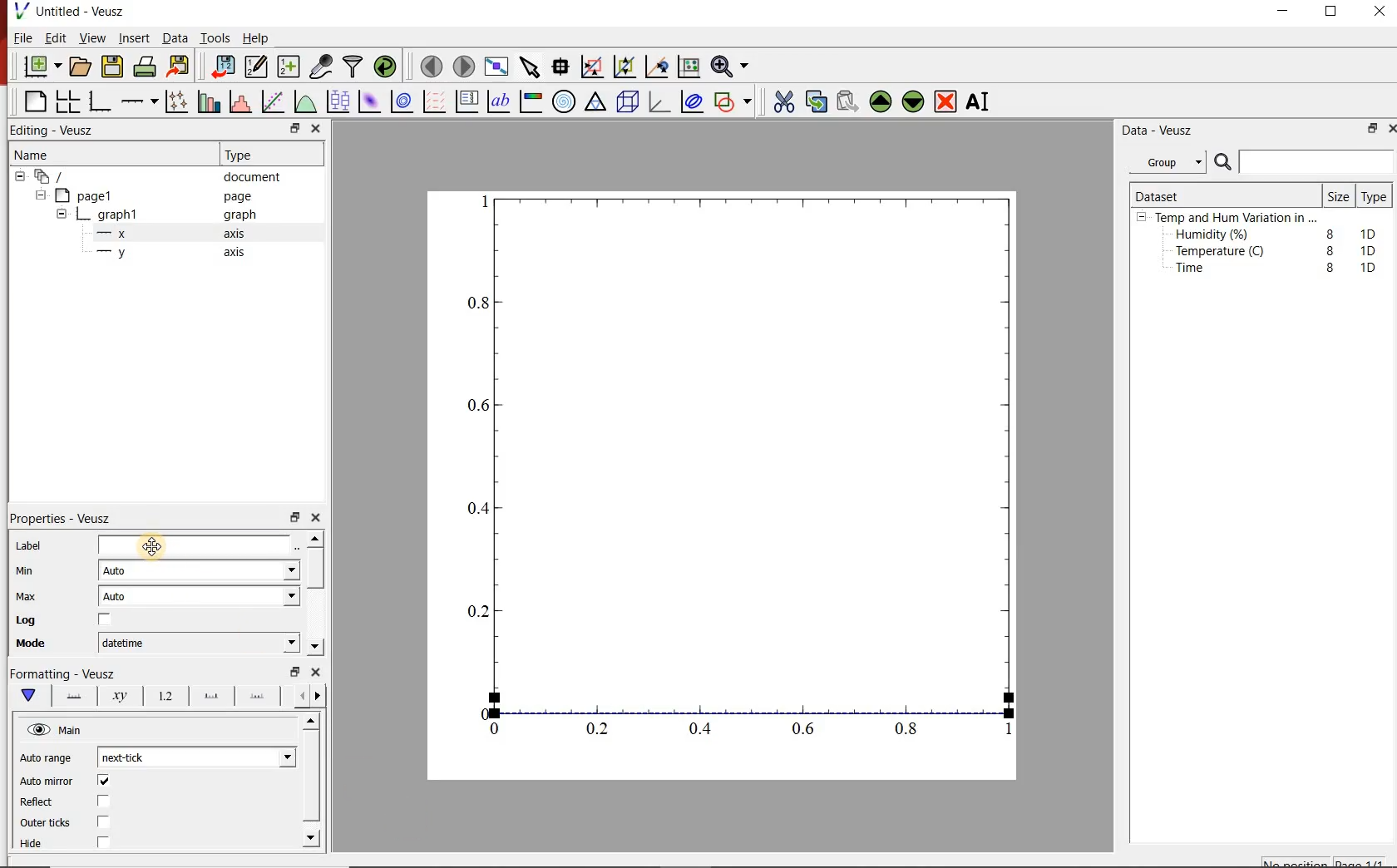 The height and width of the screenshot is (868, 1397). Describe the element at coordinates (479, 711) in the screenshot. I see `0` at that location.